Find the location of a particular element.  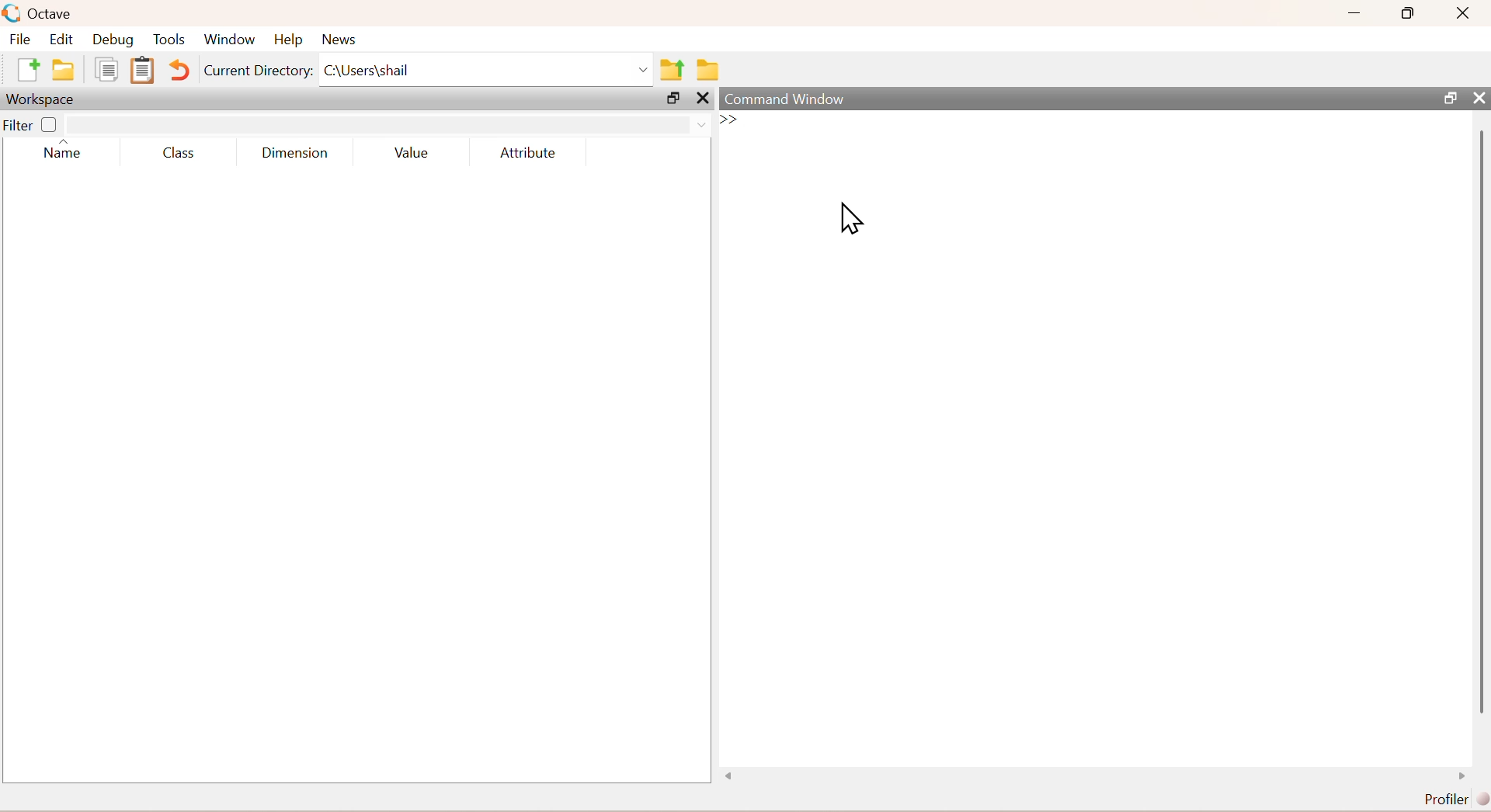

>> is located at coordinates (730, 119).